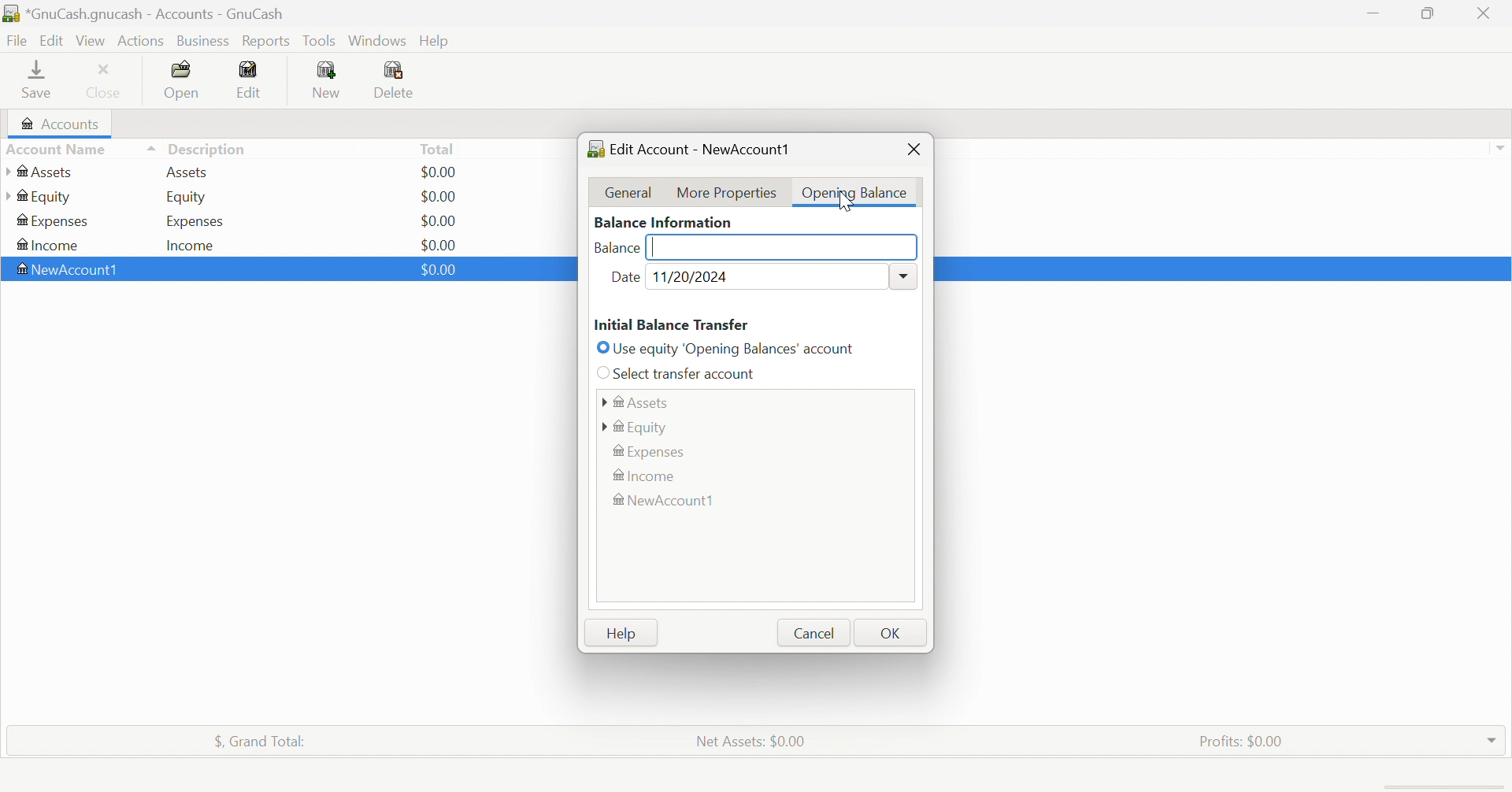  I want to click on OK, so click(892, 633).